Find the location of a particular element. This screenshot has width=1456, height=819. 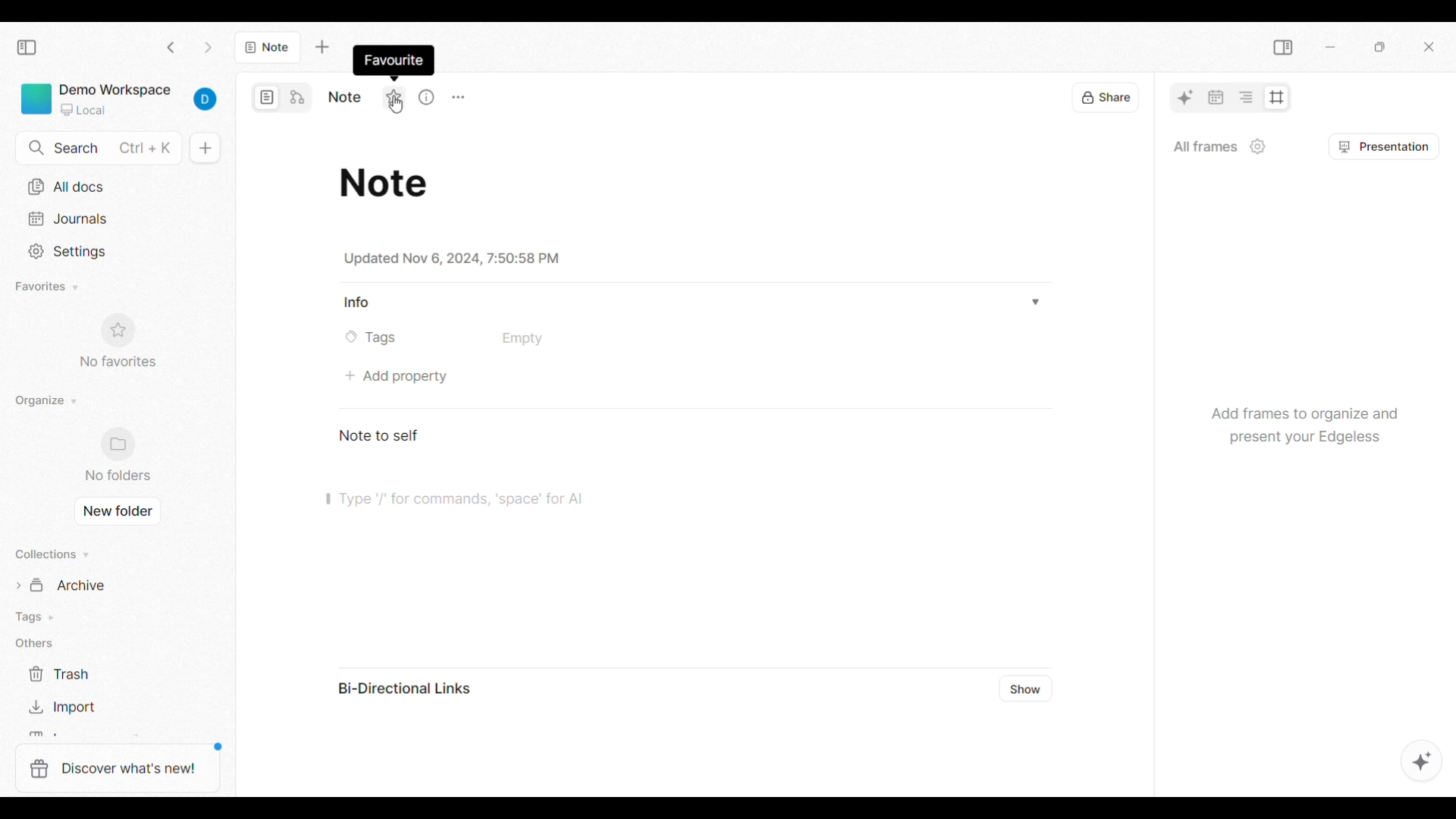

© Tags is located at coordinates (375, 337).